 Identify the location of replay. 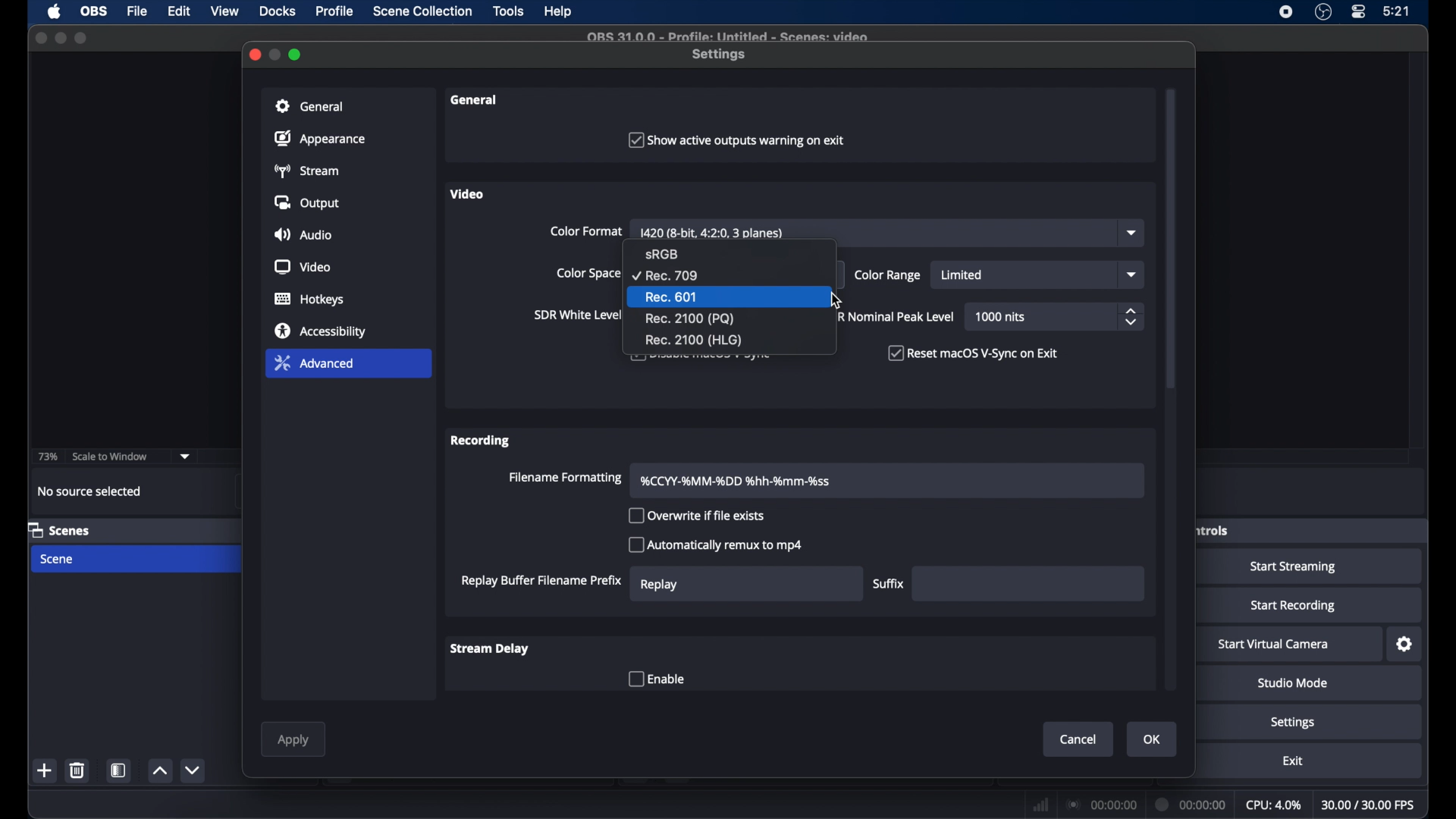
(659, 585).